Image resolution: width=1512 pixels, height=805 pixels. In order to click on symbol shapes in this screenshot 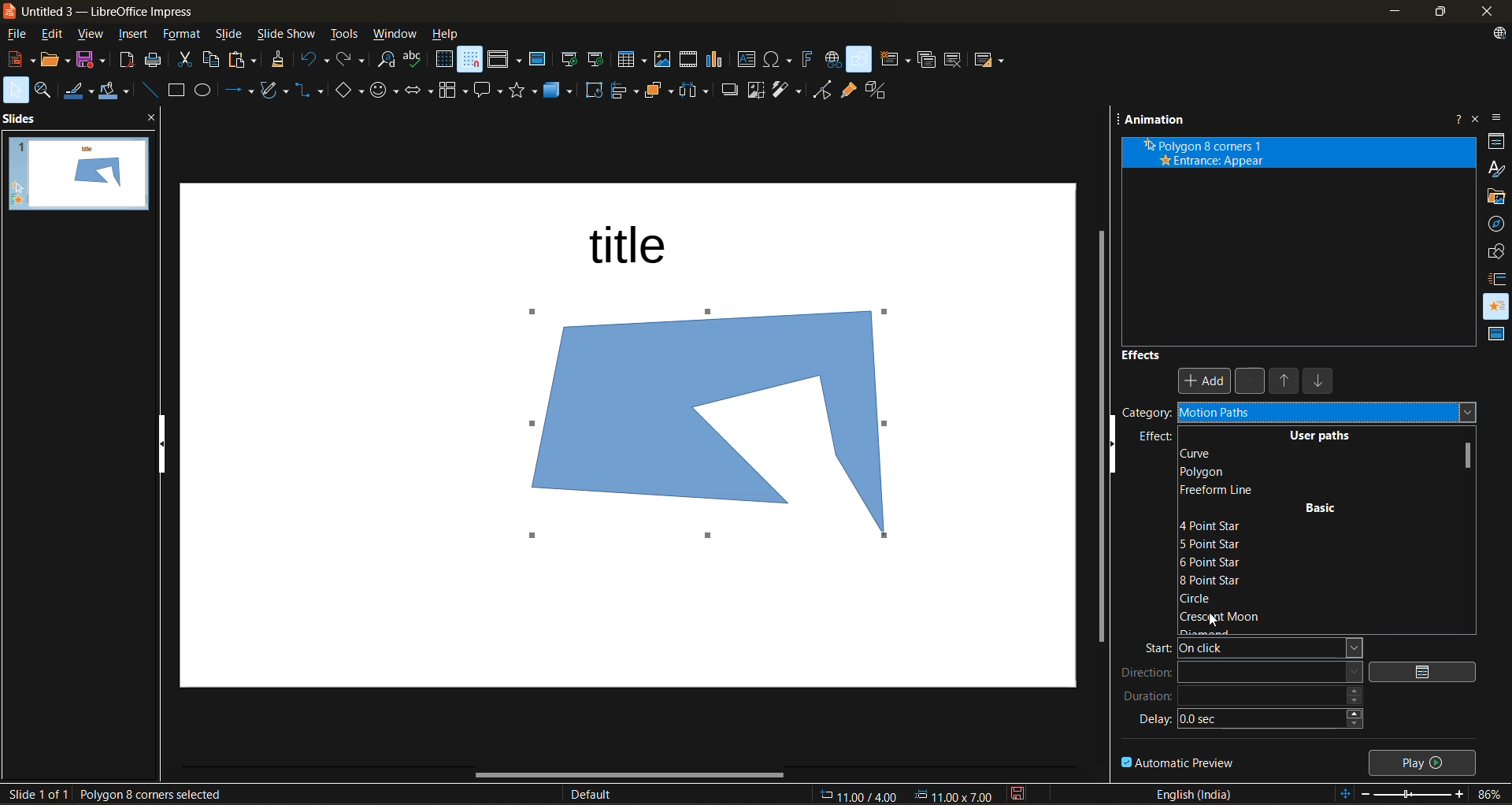, I will do `click(385, 93)`.